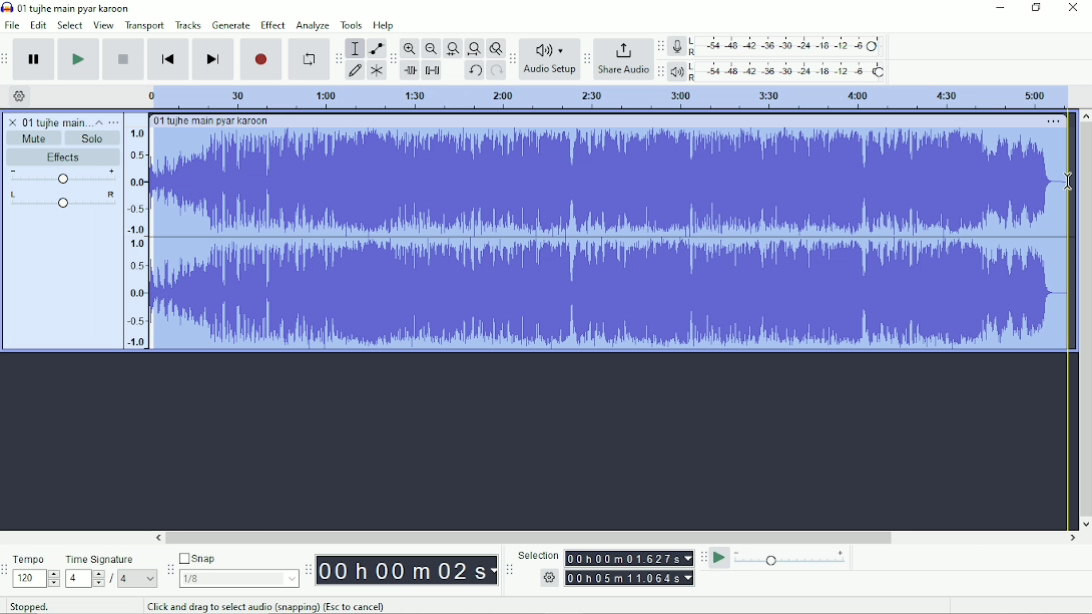 The height and width of the screenshot is (614, 1092). Describe the element at coordinates (313, 25) in the screenshot. I see `Analyze` at that location.